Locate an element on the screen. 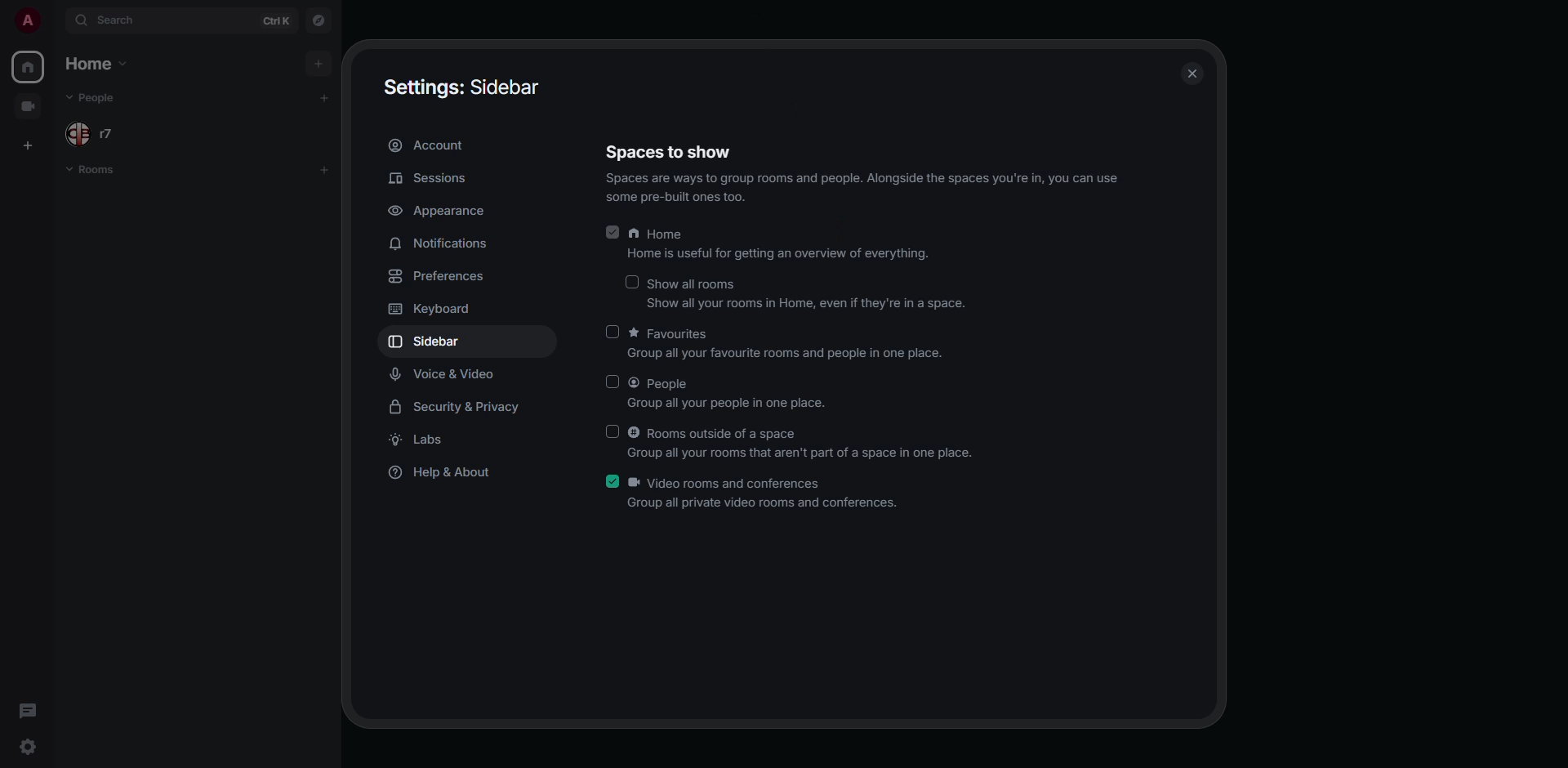 This screenshot has height=768, width=1568. search is located at coordinates (111, 20).